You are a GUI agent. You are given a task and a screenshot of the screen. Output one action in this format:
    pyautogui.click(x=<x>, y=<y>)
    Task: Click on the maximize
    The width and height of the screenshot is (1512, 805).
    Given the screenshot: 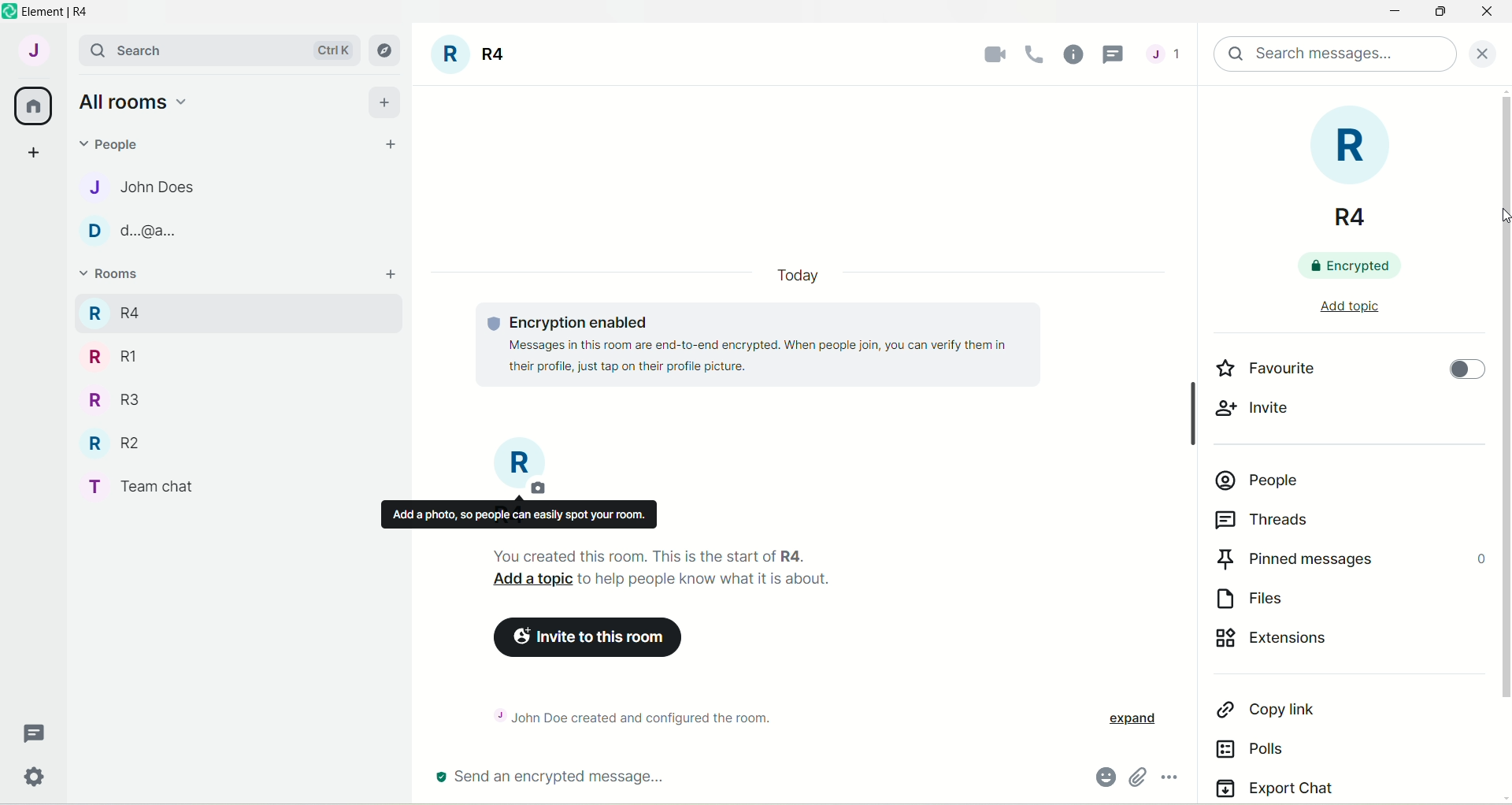 What is the action you would take?
    pyautogui.click(x=1443, y=13)
    